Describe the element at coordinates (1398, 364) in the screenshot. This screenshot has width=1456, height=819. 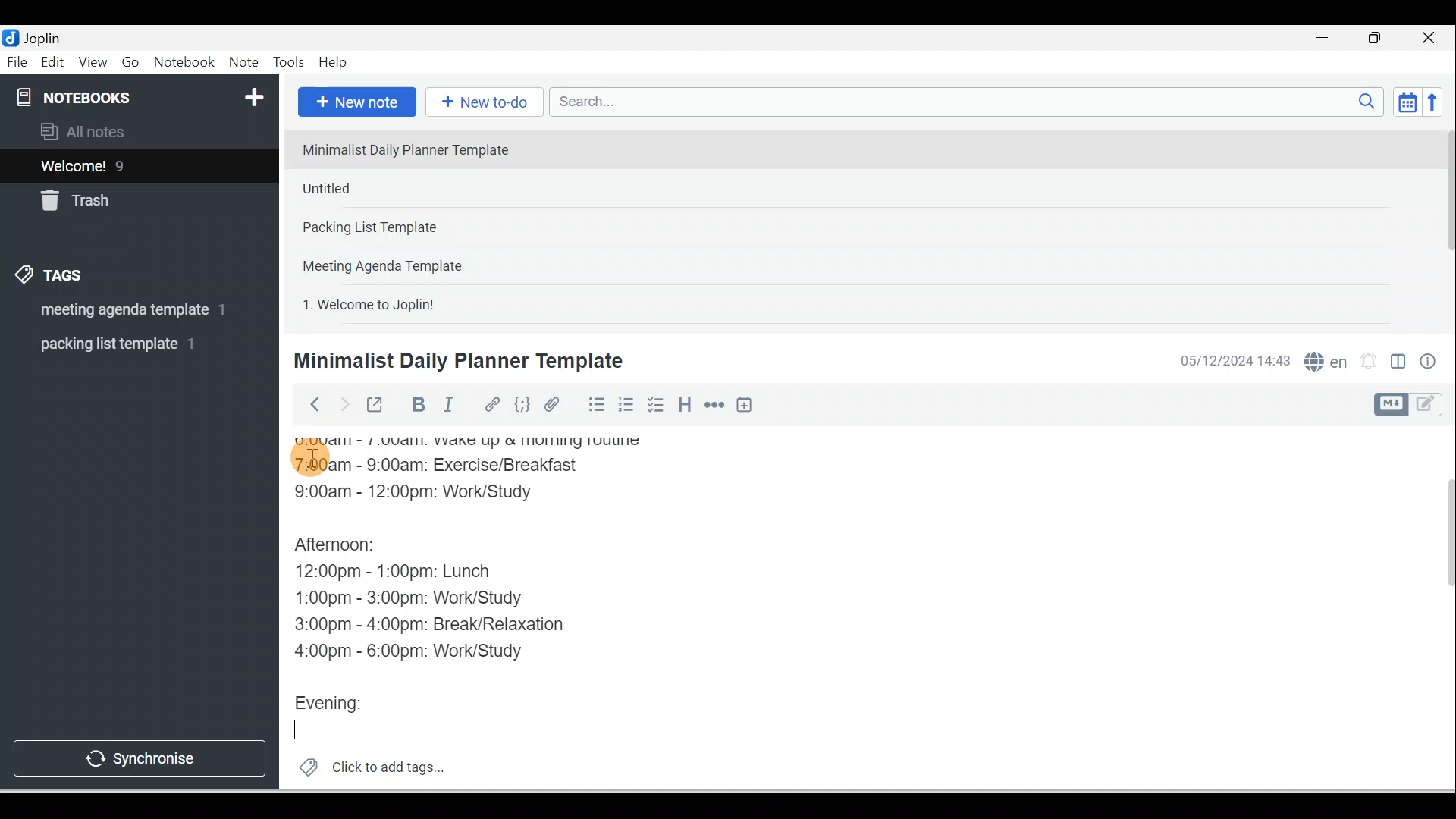
I see `Toggle editors` at that location.